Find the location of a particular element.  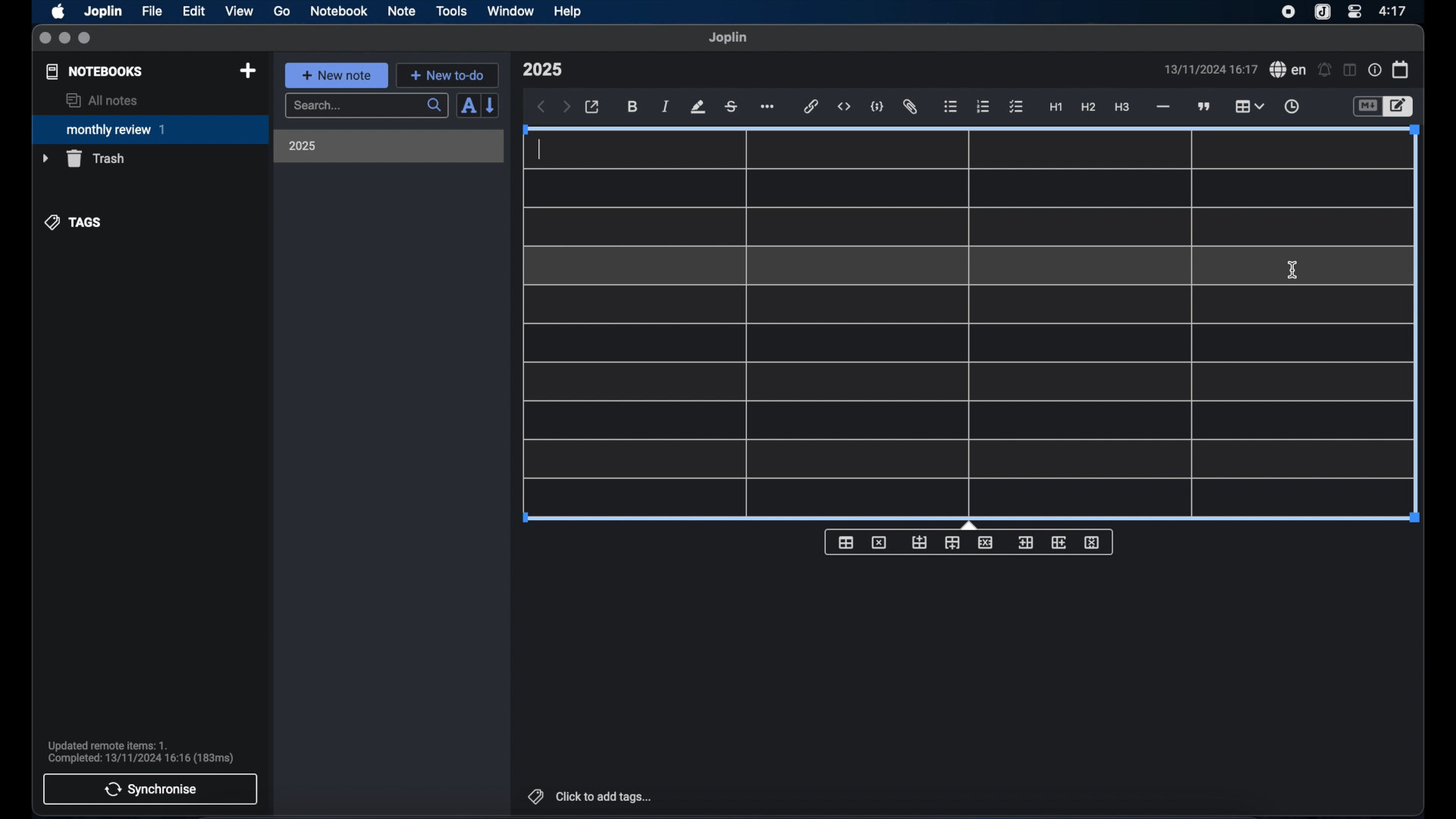

apple icon is located at coordinates (57, 11).